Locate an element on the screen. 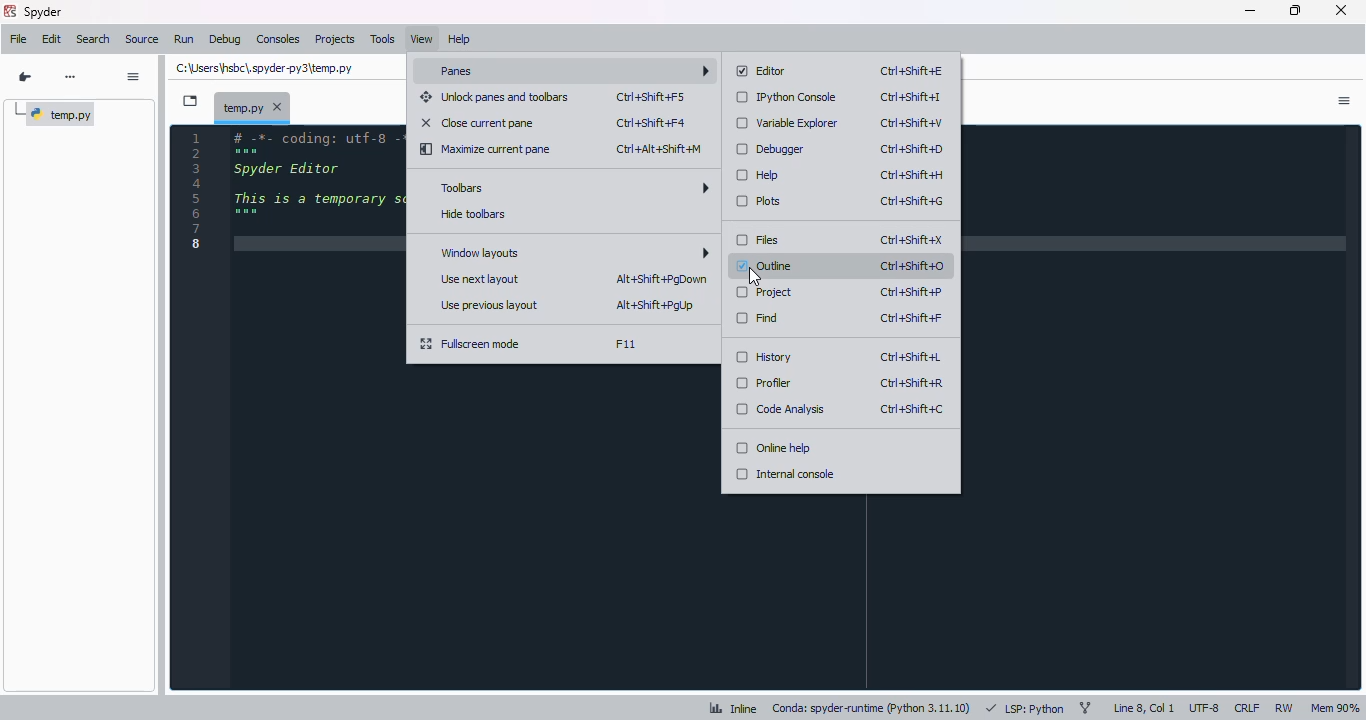 The height and width of the screenshot is (720, 1366). IPython console is located at coordinates (788, 97).